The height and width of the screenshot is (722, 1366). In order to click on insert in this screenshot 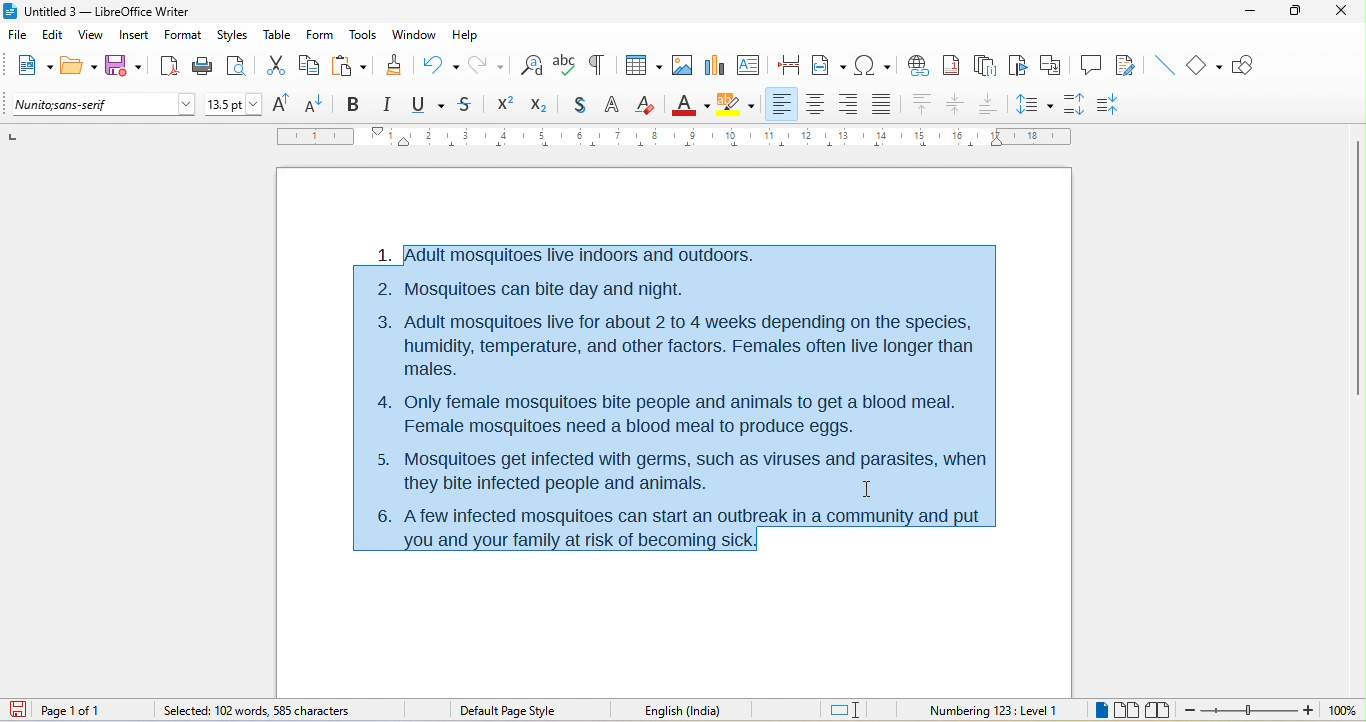, I will do `click(135, 35)`.